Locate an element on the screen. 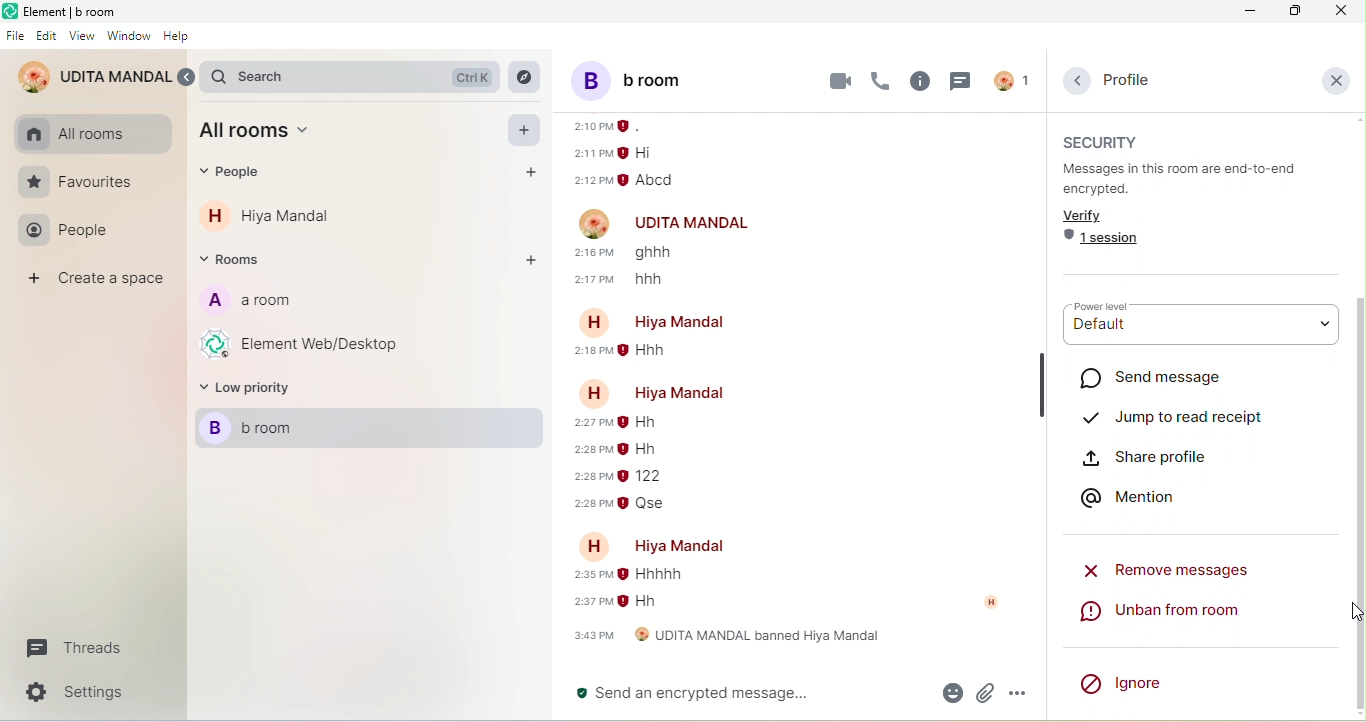  video call is located at coordinates (840, 80).